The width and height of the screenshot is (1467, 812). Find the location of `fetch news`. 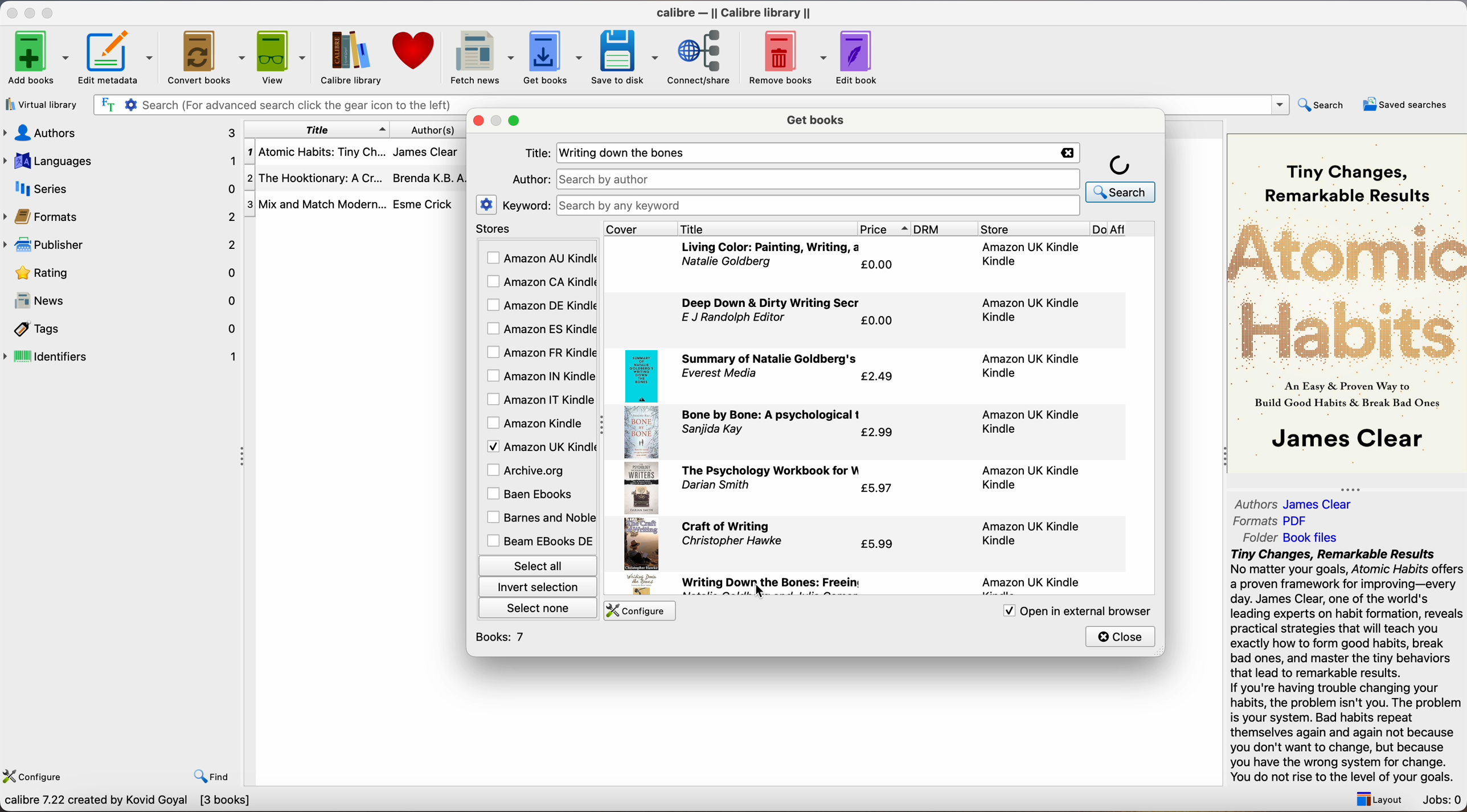

fetch news is located at coordinates (480, 58).